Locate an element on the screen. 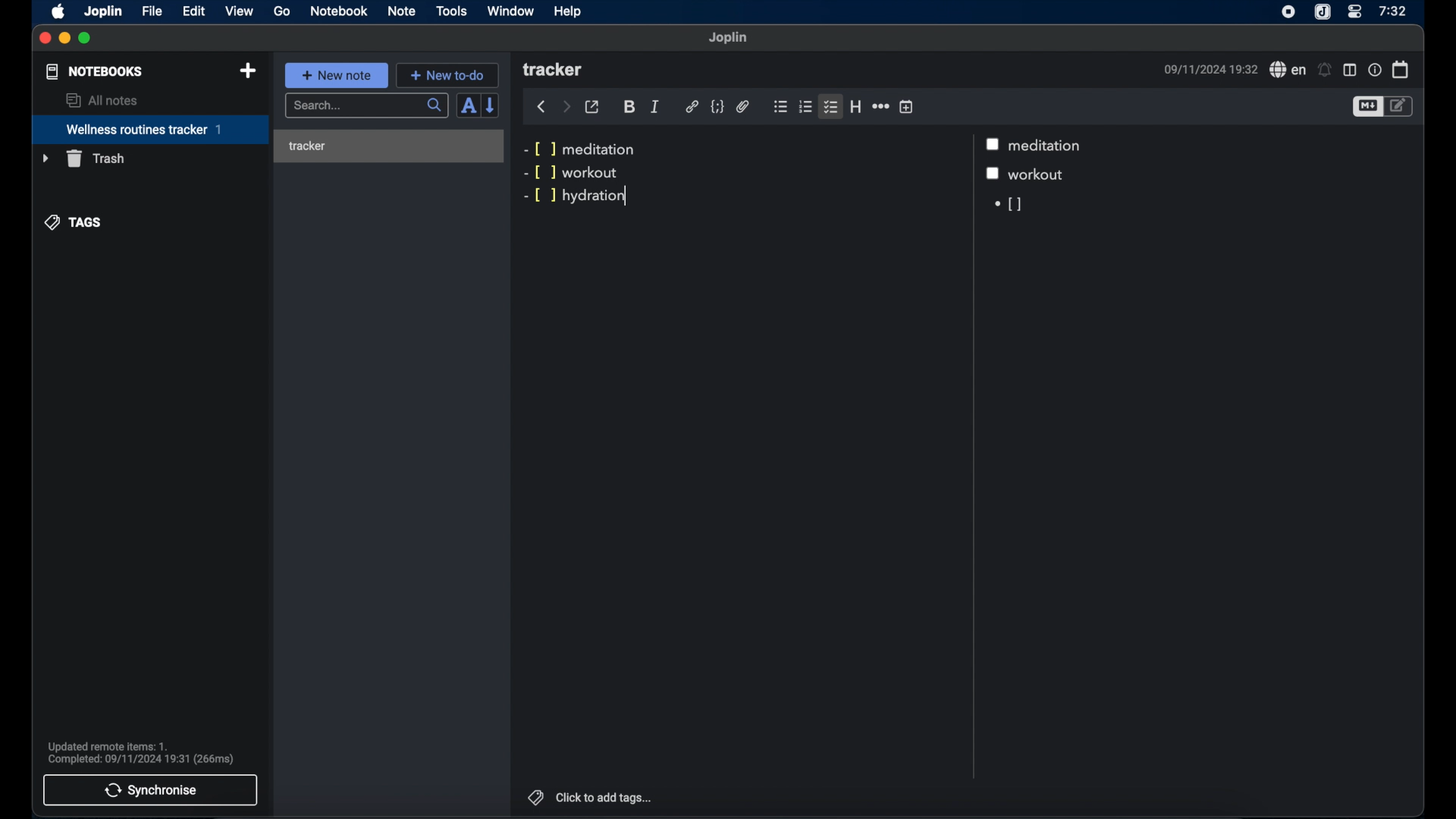 The height and width of the screenshot is (819, 1456). joplin is located at coordinates (729, 38).